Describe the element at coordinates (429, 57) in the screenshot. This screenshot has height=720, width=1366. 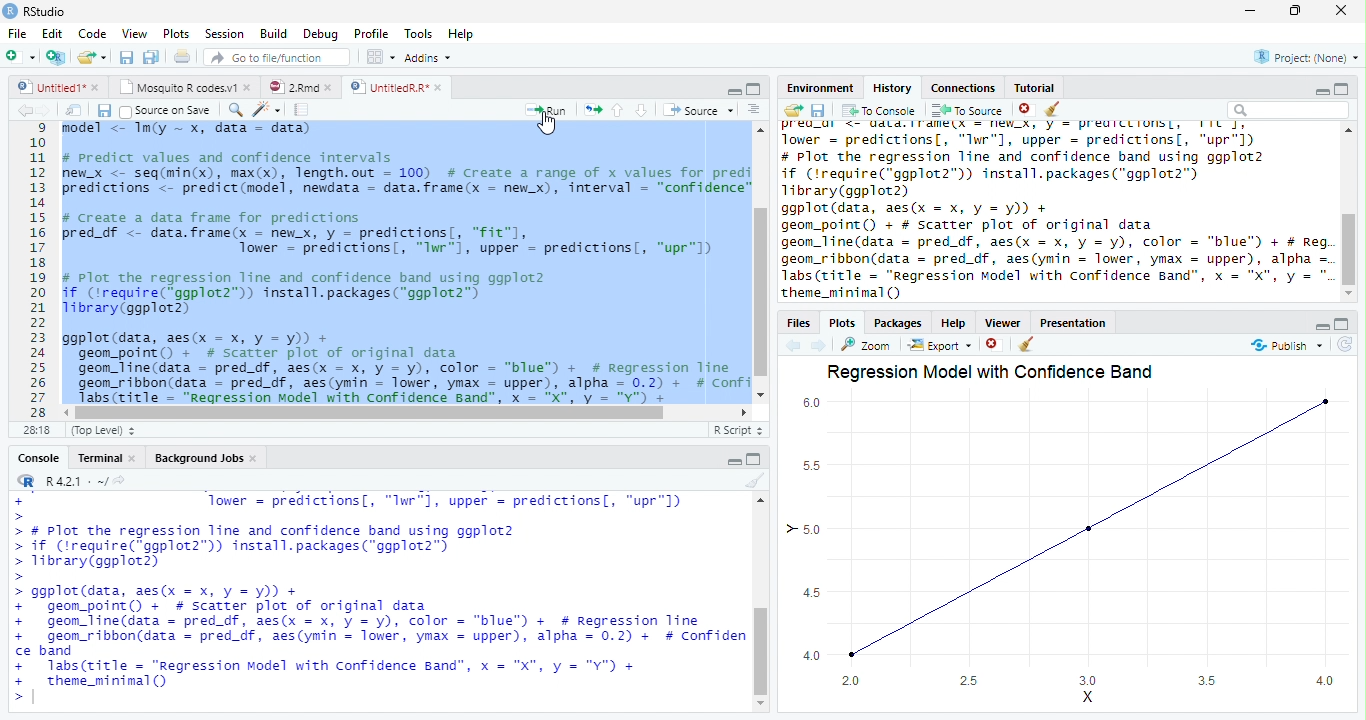
I see `Addins` at that location.